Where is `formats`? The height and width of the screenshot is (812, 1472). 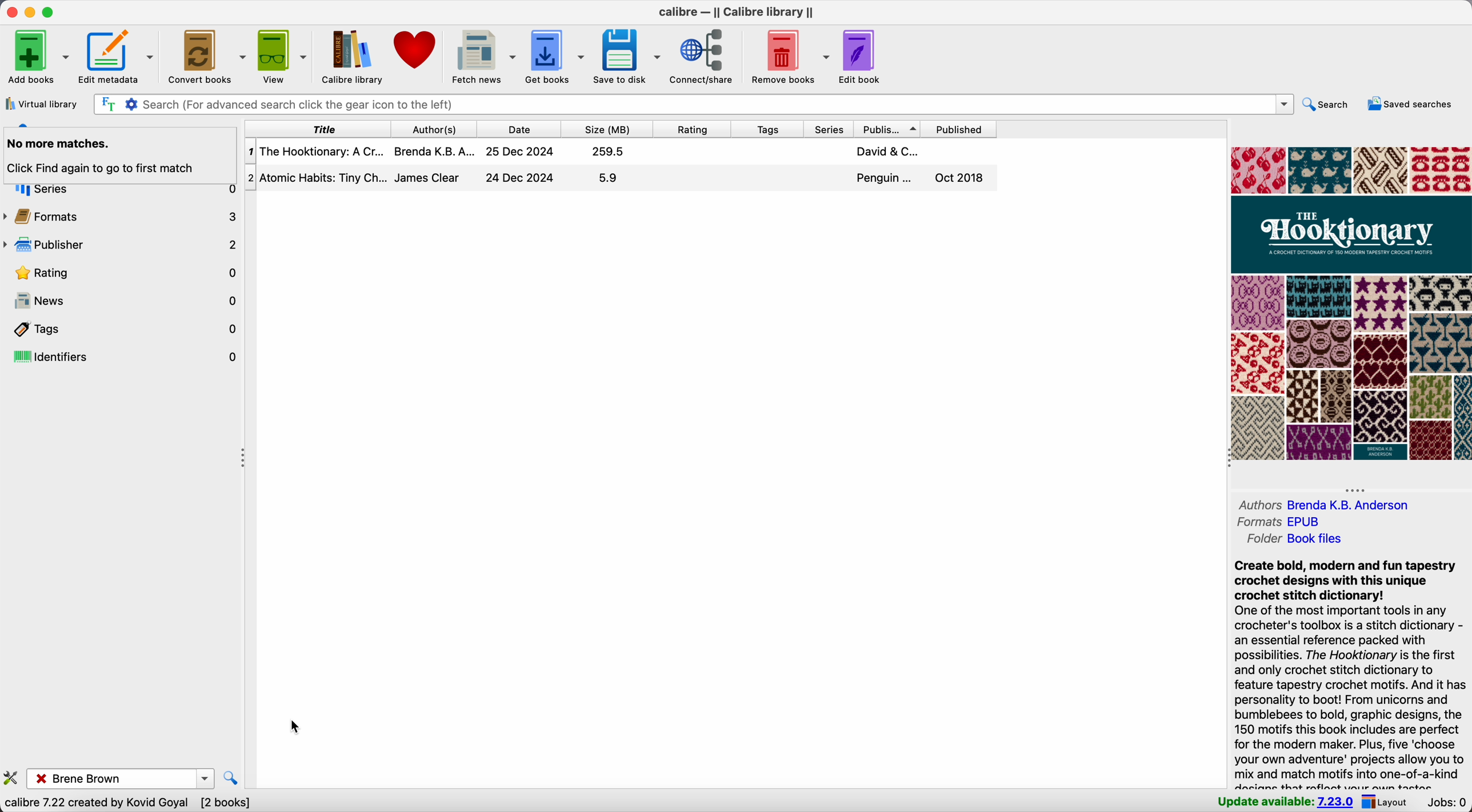 formats is located at coordinates (1278, 522).